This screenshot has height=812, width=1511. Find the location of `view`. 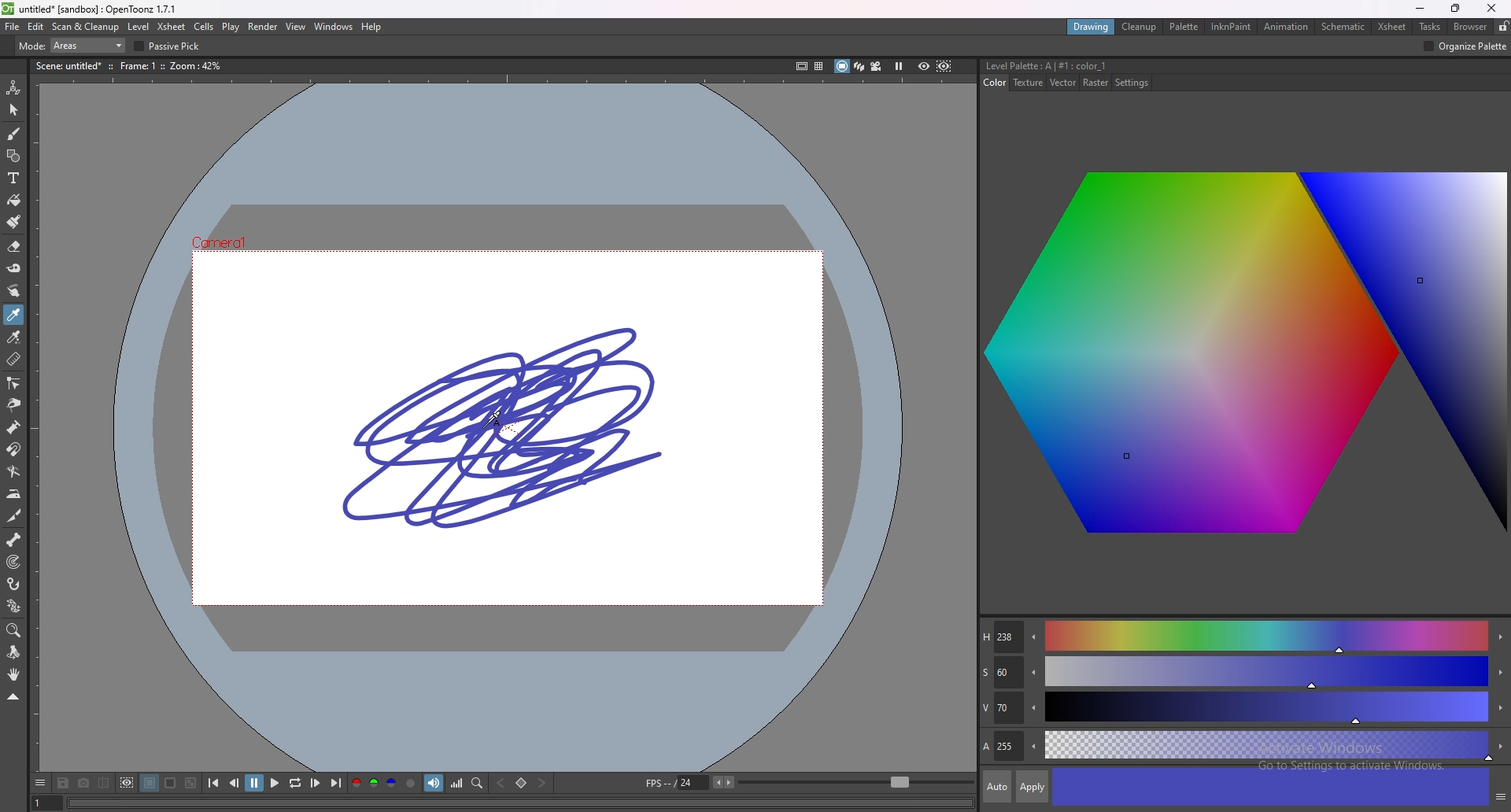

view is located at coordinates (297, 27).